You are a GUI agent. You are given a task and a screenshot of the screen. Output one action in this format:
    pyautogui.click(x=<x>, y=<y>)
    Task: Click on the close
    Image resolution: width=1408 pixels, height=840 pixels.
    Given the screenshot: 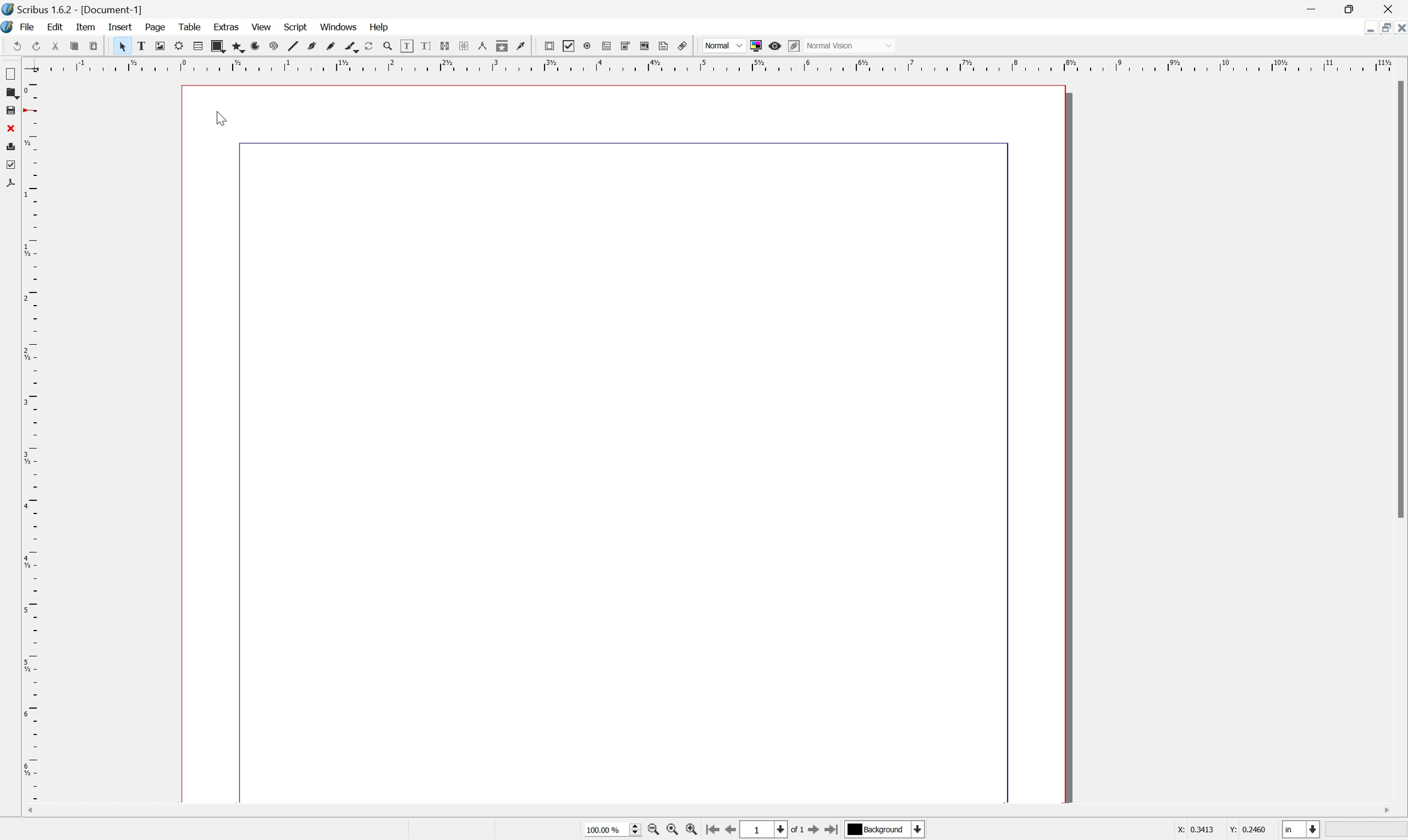 What is the action you would take?
    pyautogui.click(x=14, y=127)
    